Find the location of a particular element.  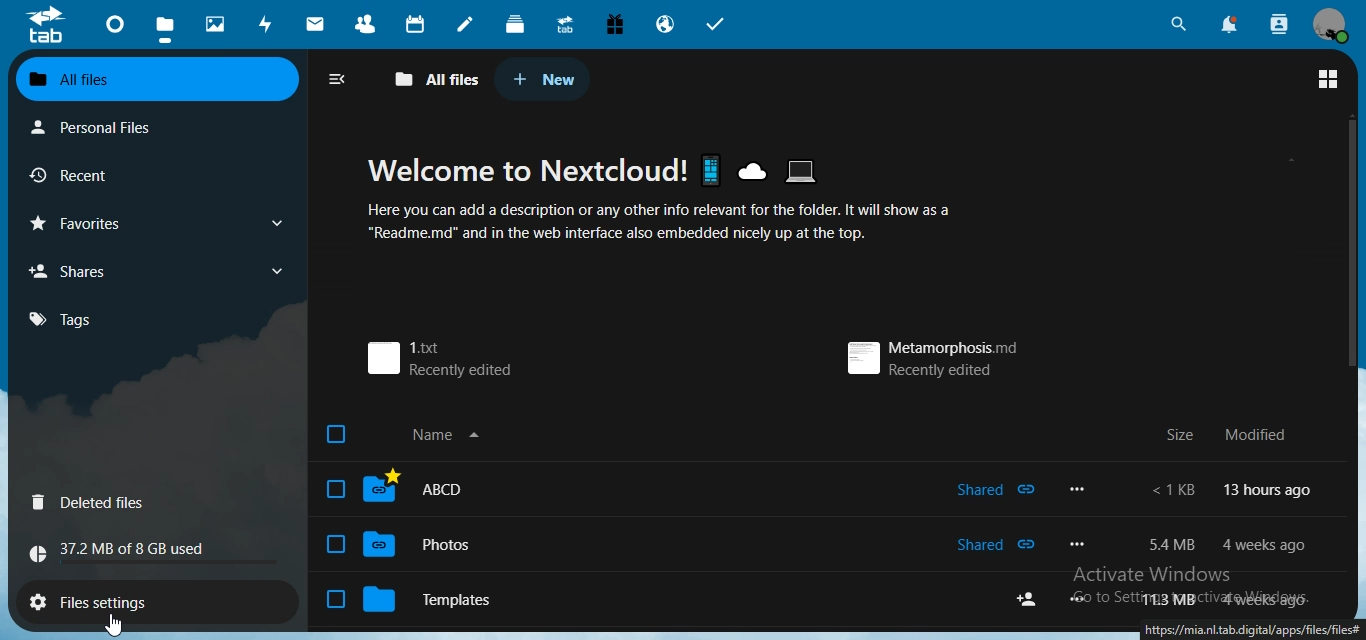

text is located at coordinates (1161, 545).